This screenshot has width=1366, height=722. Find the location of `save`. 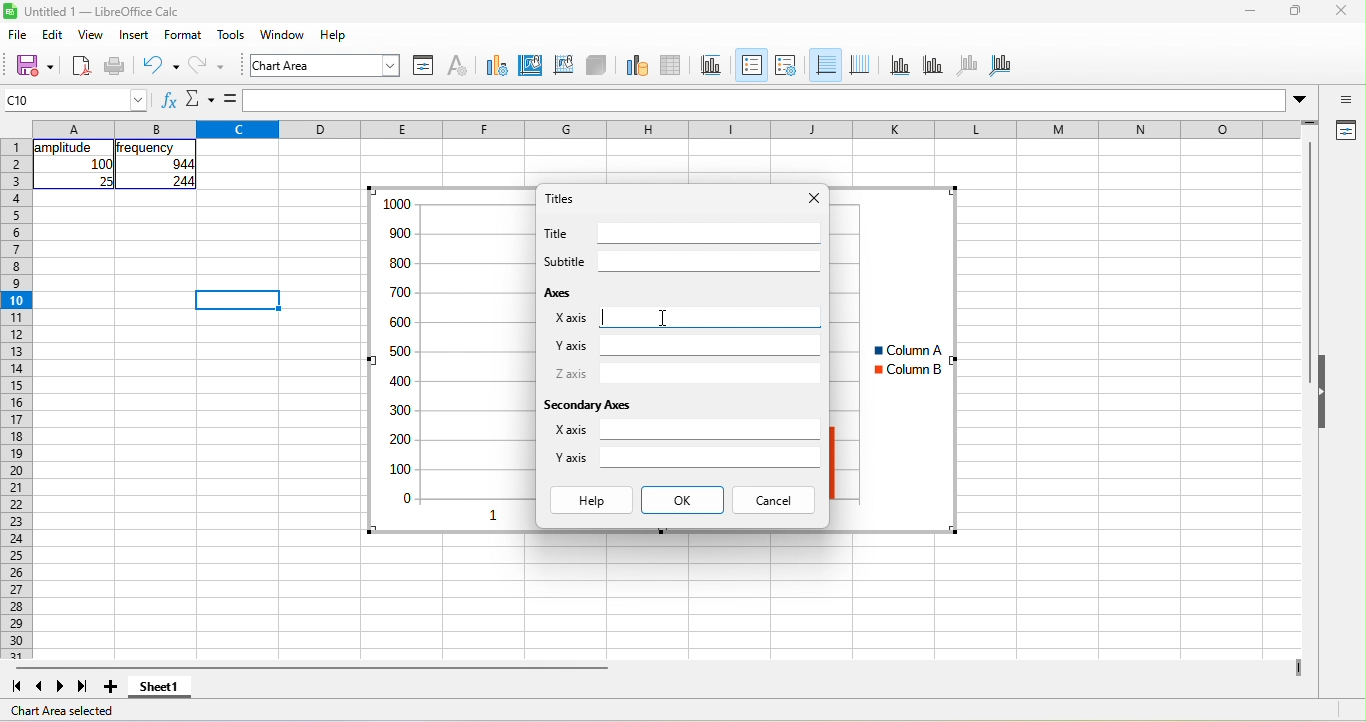

save is located at coordinates (34, 67).